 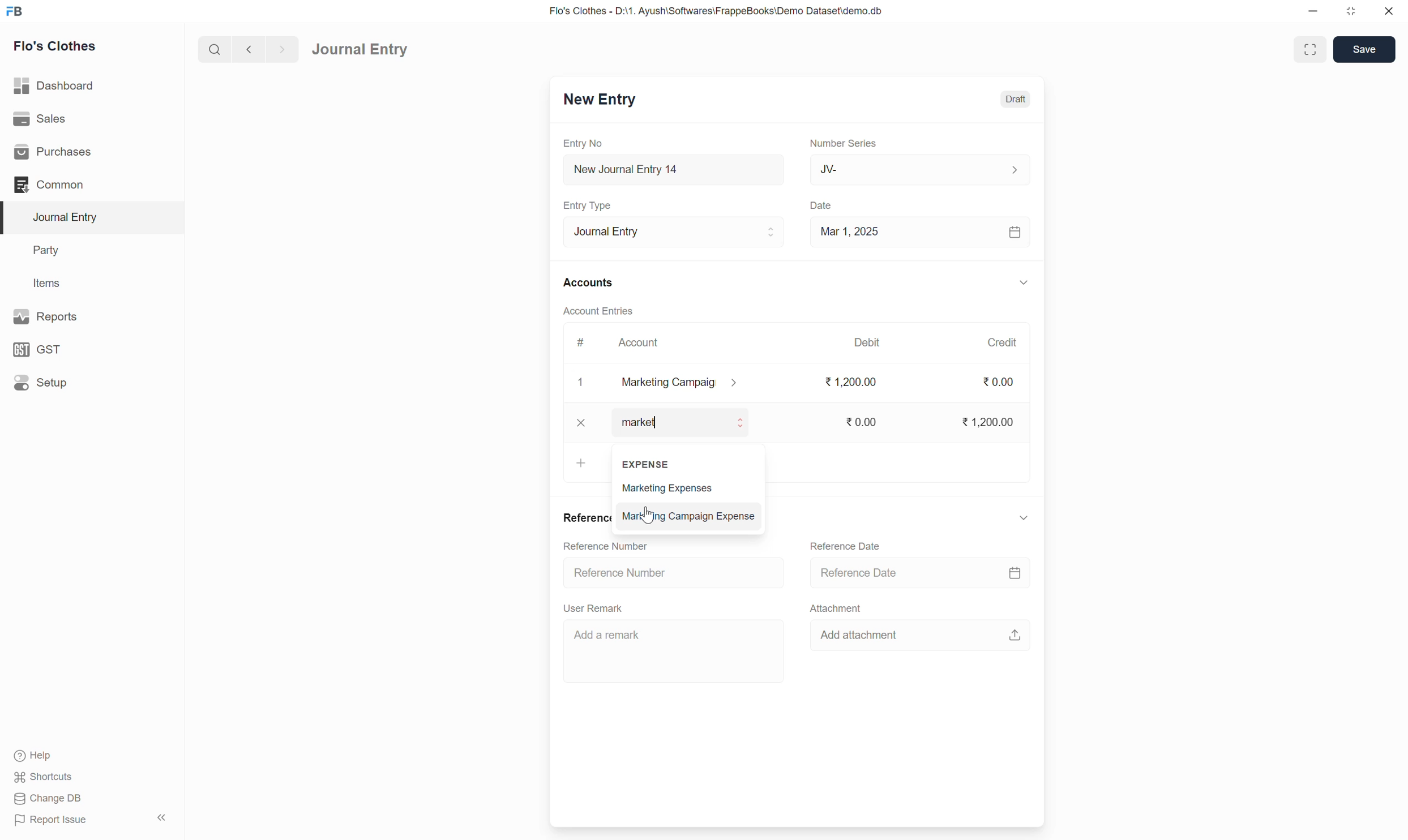 What do you see at coordinates (863, 422) in the screenshot?
I see `0.00` at bounding box center [863, 422].